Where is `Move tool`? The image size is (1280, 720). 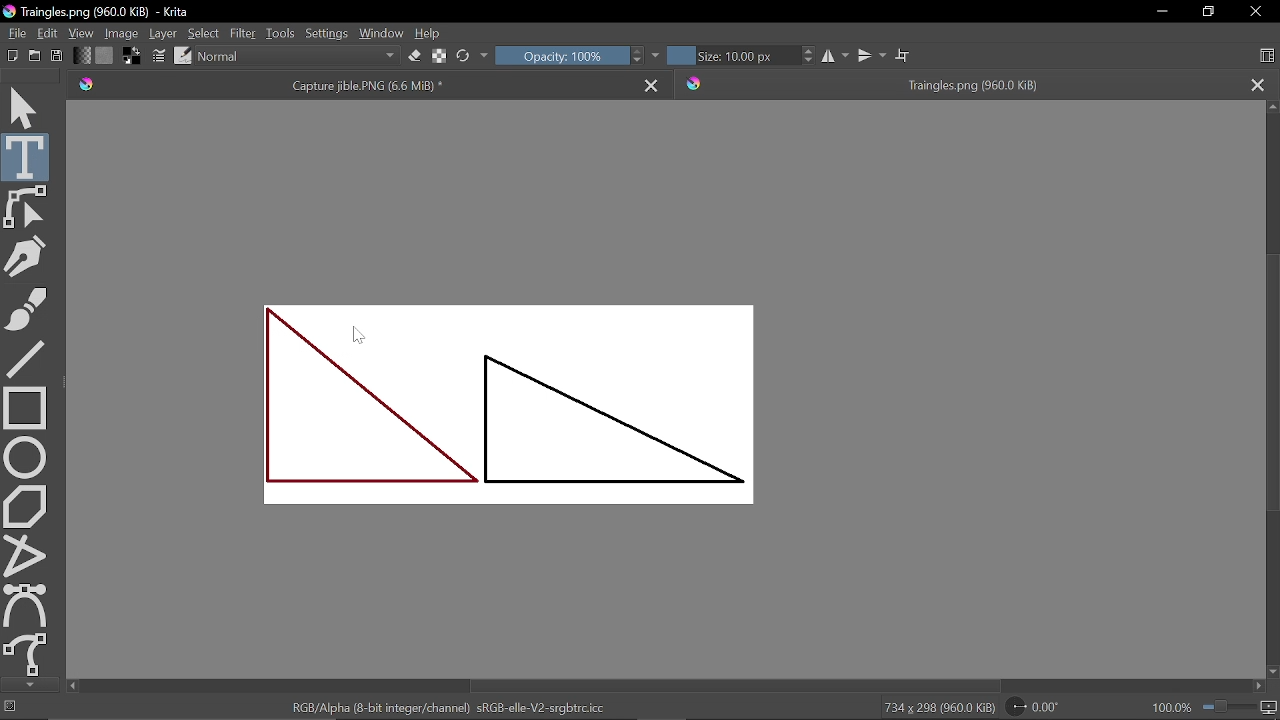
Move tool is located at coordinates (26, 106).